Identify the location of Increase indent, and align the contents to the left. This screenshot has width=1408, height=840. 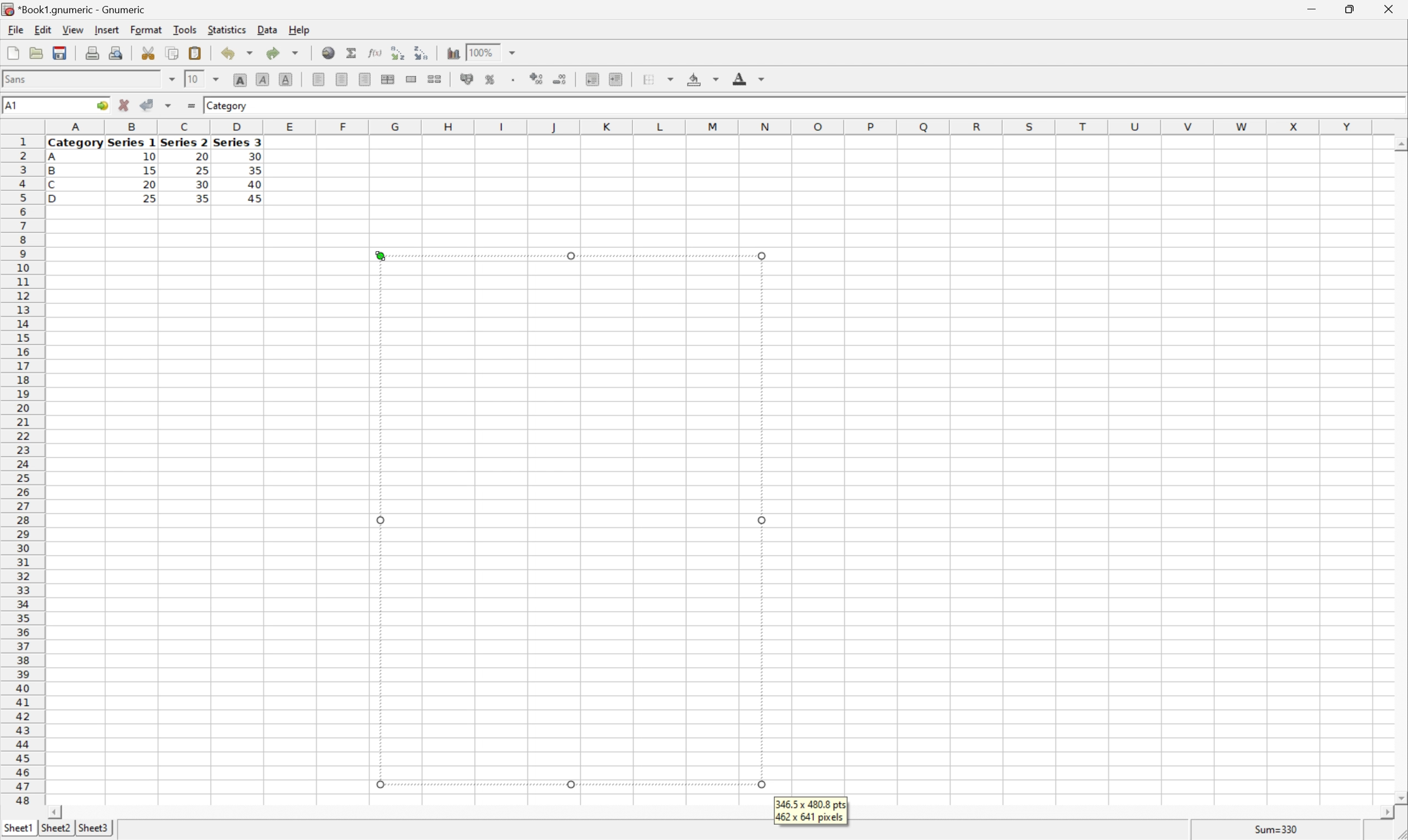
(615, 80).